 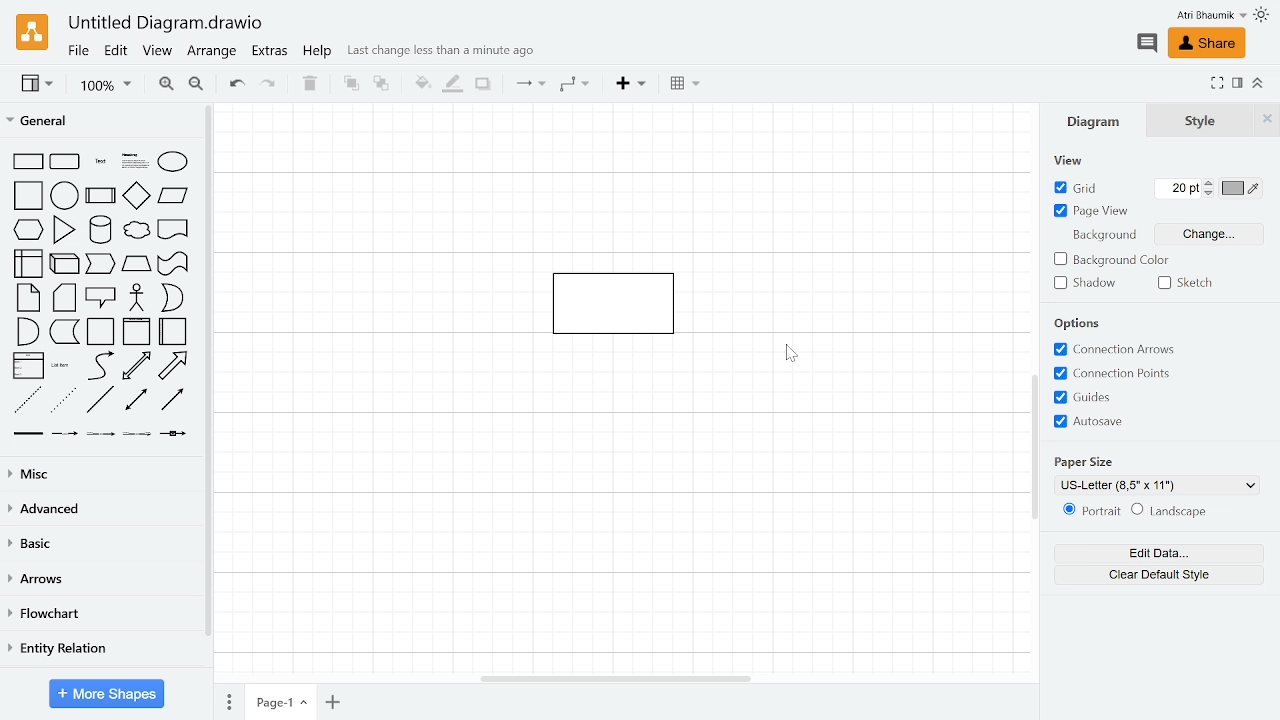 What do you see at coordinates (1128, 398) in the screenshot?
I see `Grids` at bounding box center [1128, 398].